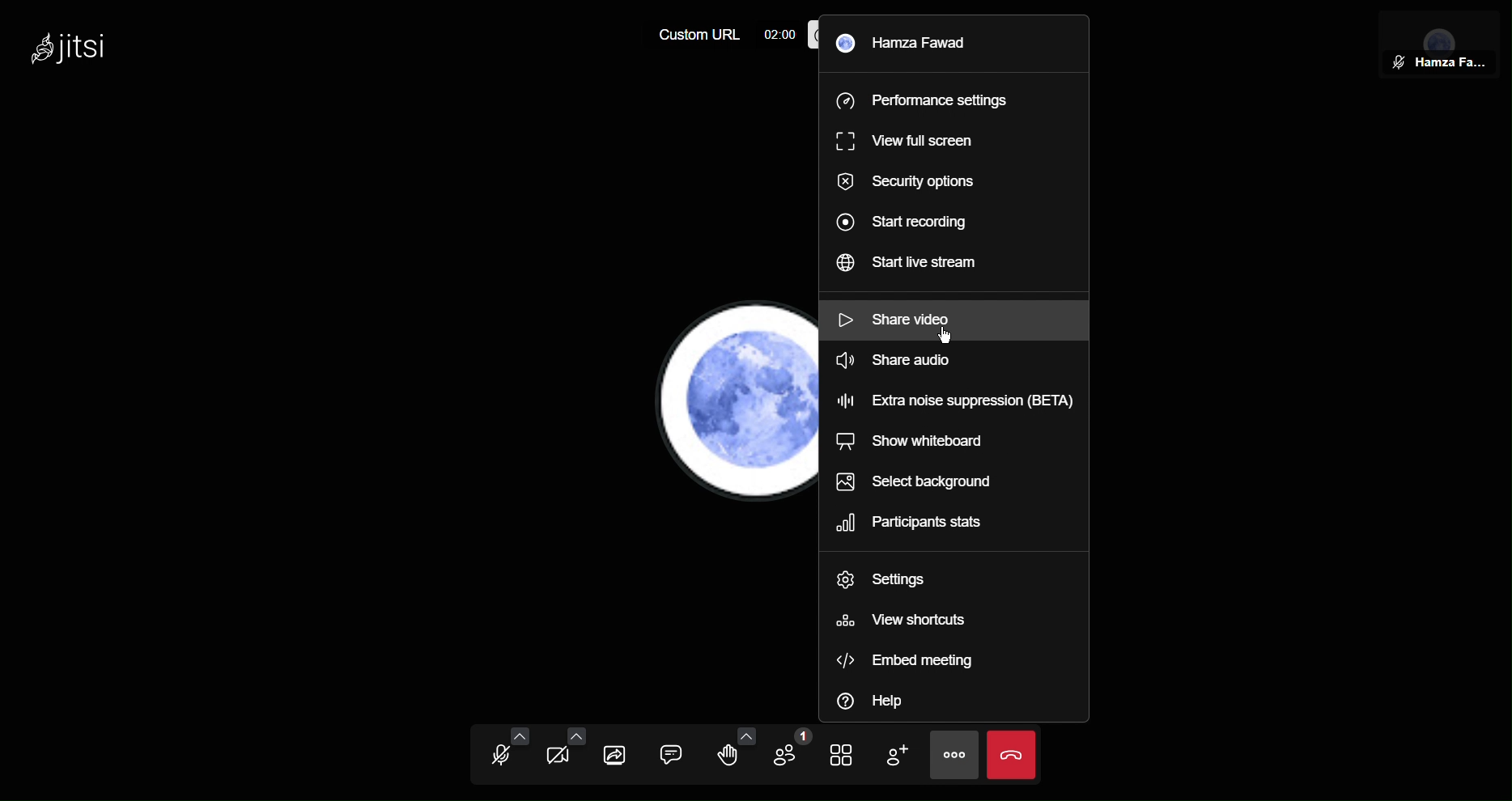 This screenshot has height=801, width=1512. Describe the element at coordinates (507, 753) in the screenshot. I see `Audio` at that location.